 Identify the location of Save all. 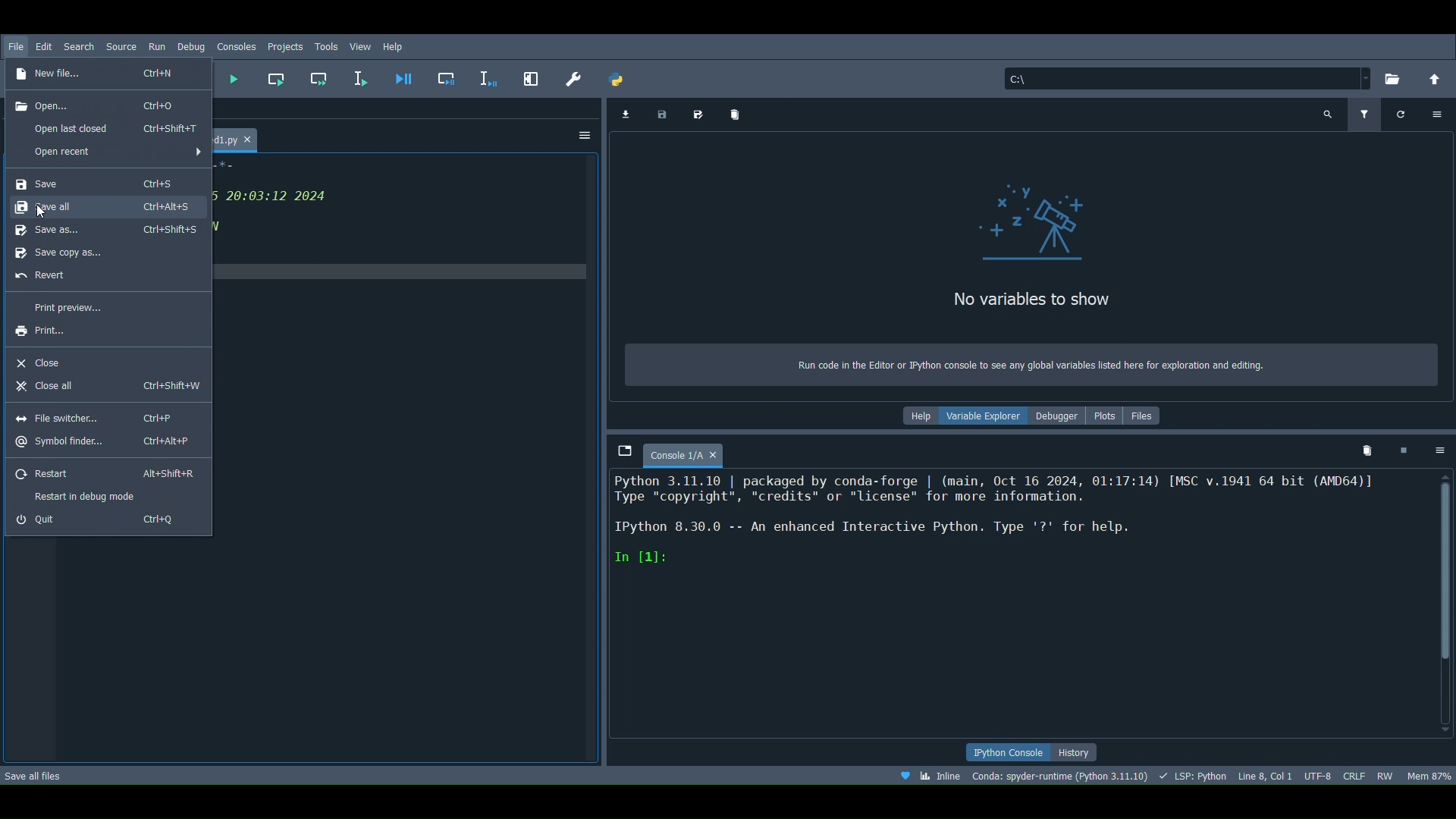
(103, 206).